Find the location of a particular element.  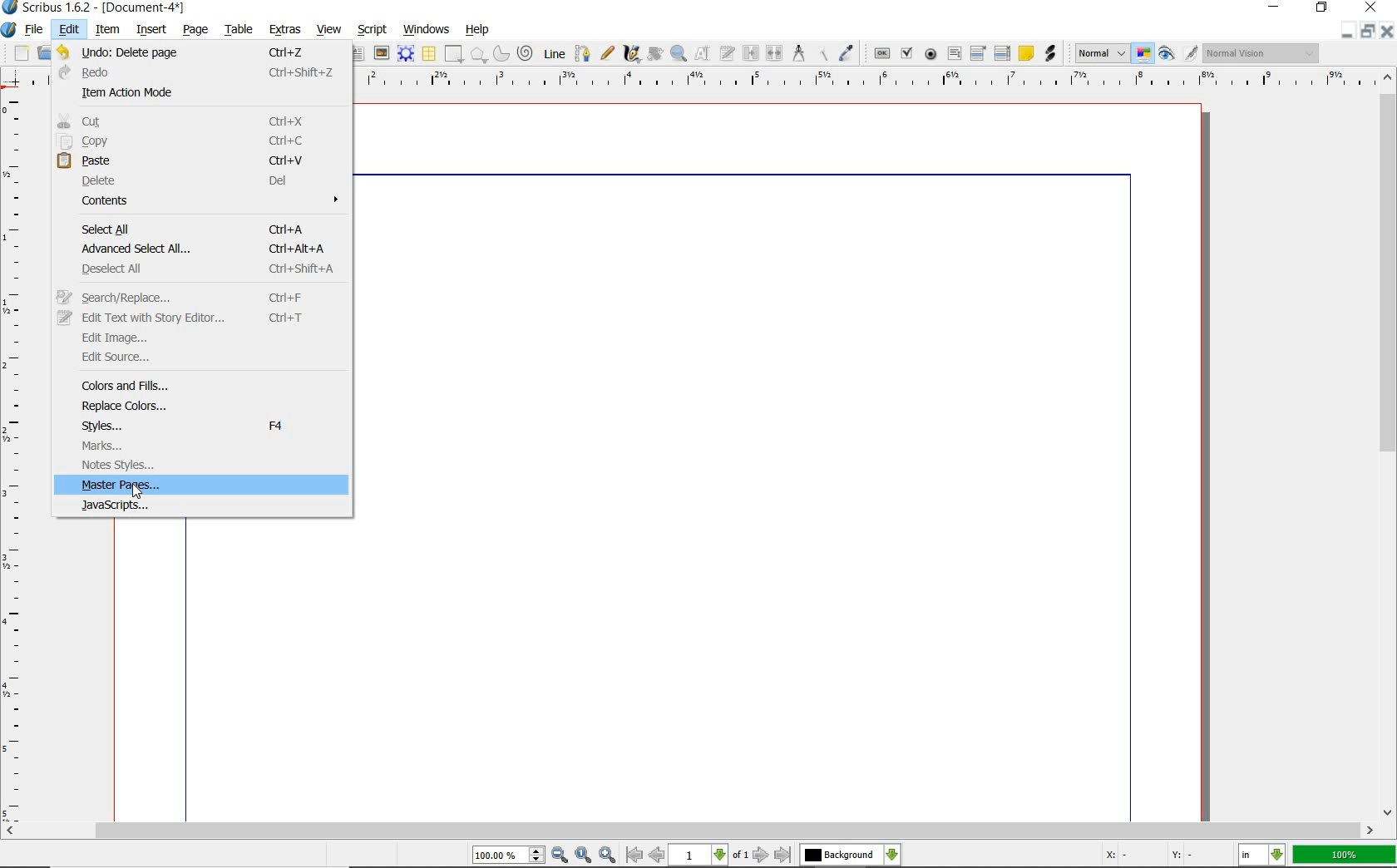

unlink text frames is located at coordinates (775, 54).